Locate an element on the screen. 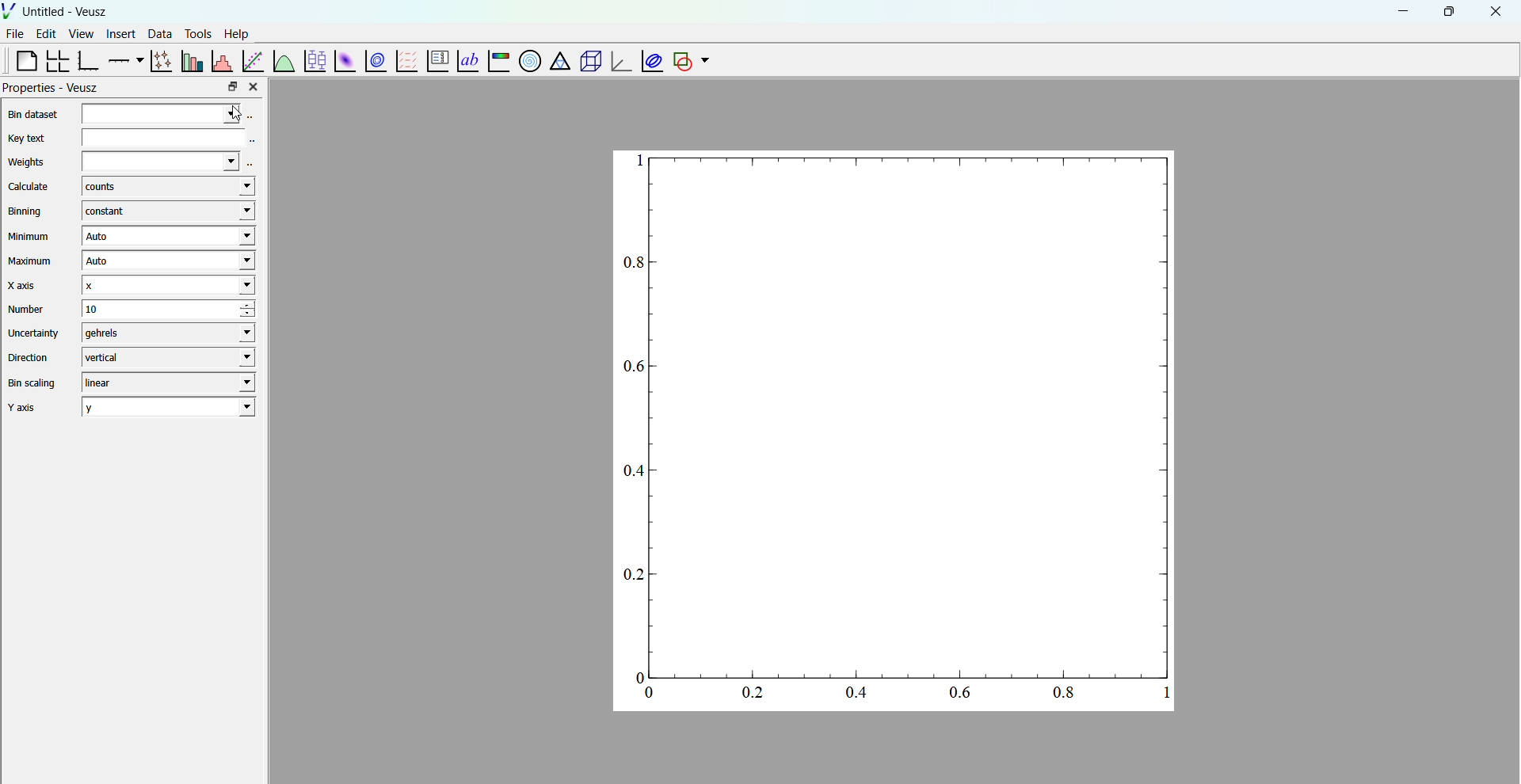 The width and height of the screenshot is (1521, 784). x  is located at coordinates (170, 285).